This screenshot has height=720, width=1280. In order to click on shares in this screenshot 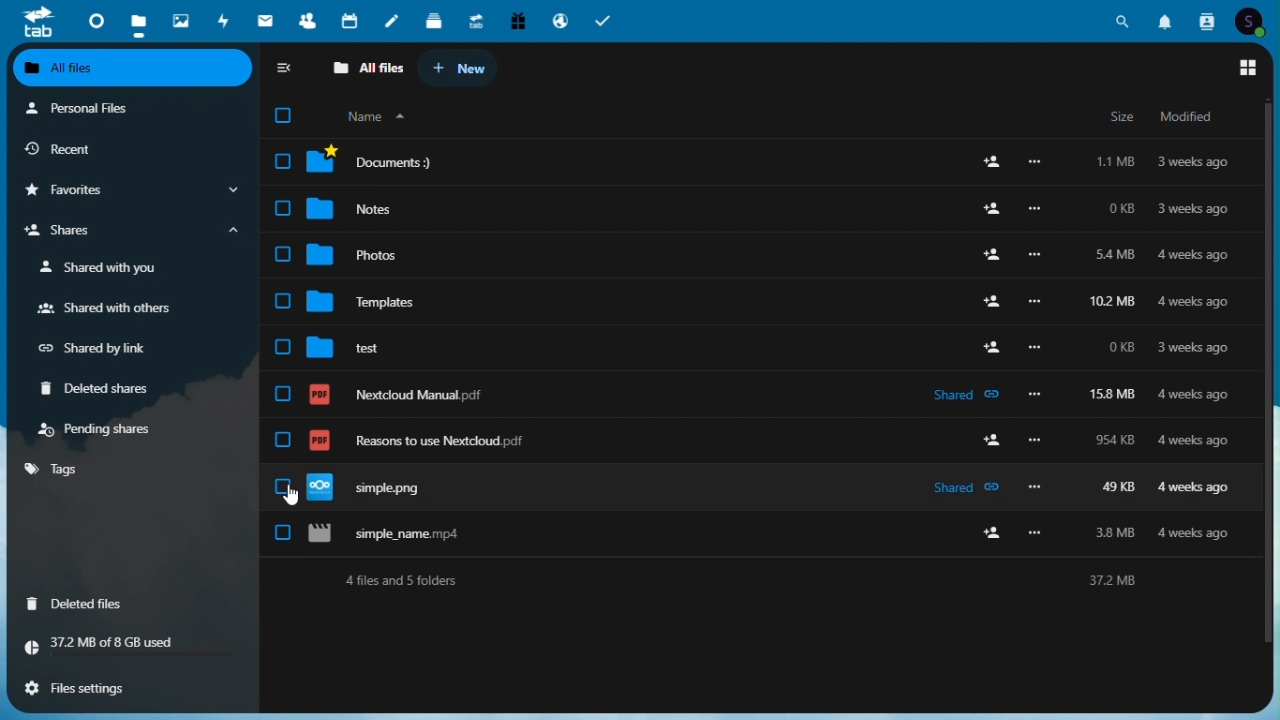, I will do `click(129, 233)`.